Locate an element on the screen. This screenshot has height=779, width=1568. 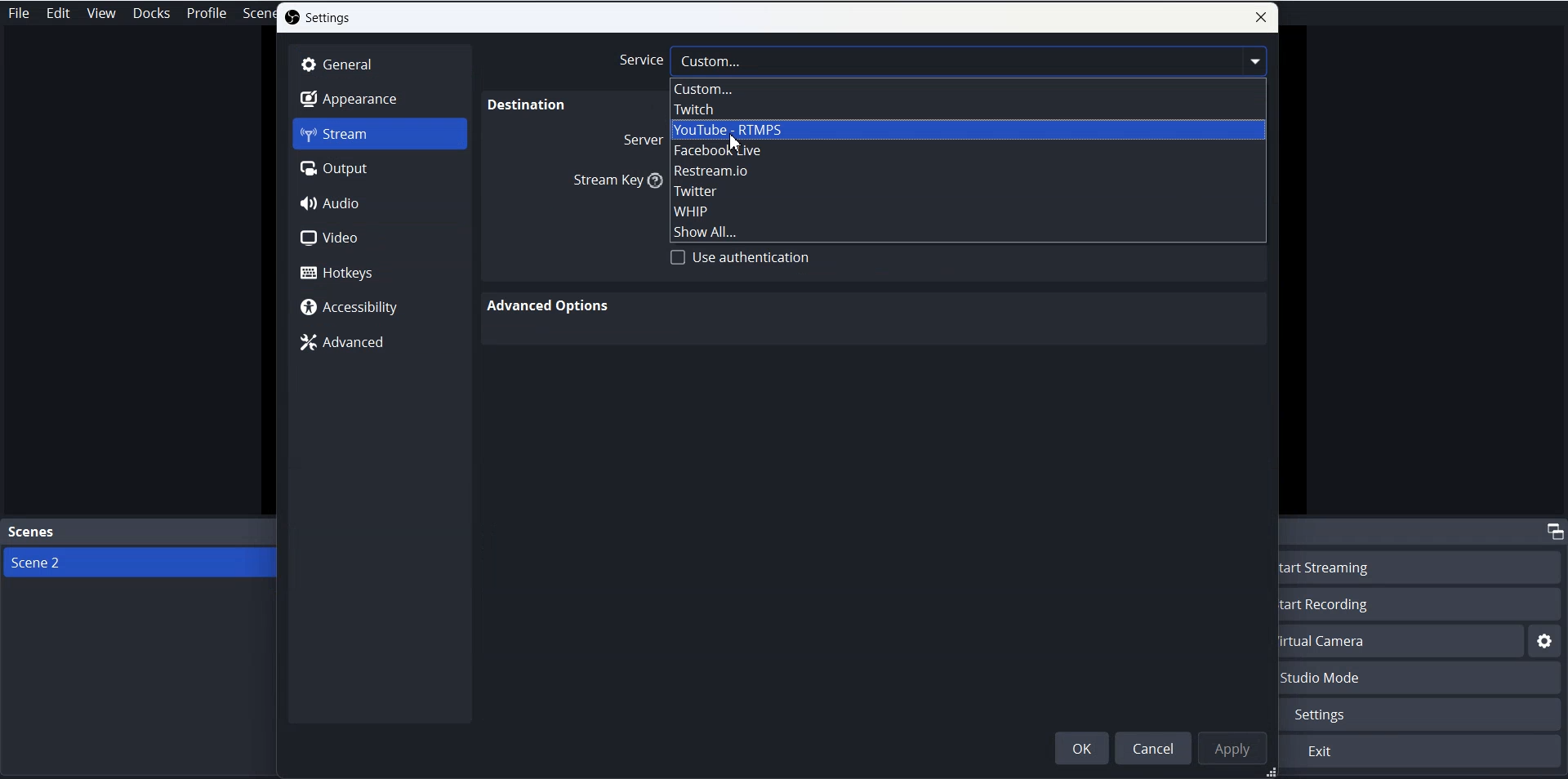
Twitter is located at coordinates (966, 190).